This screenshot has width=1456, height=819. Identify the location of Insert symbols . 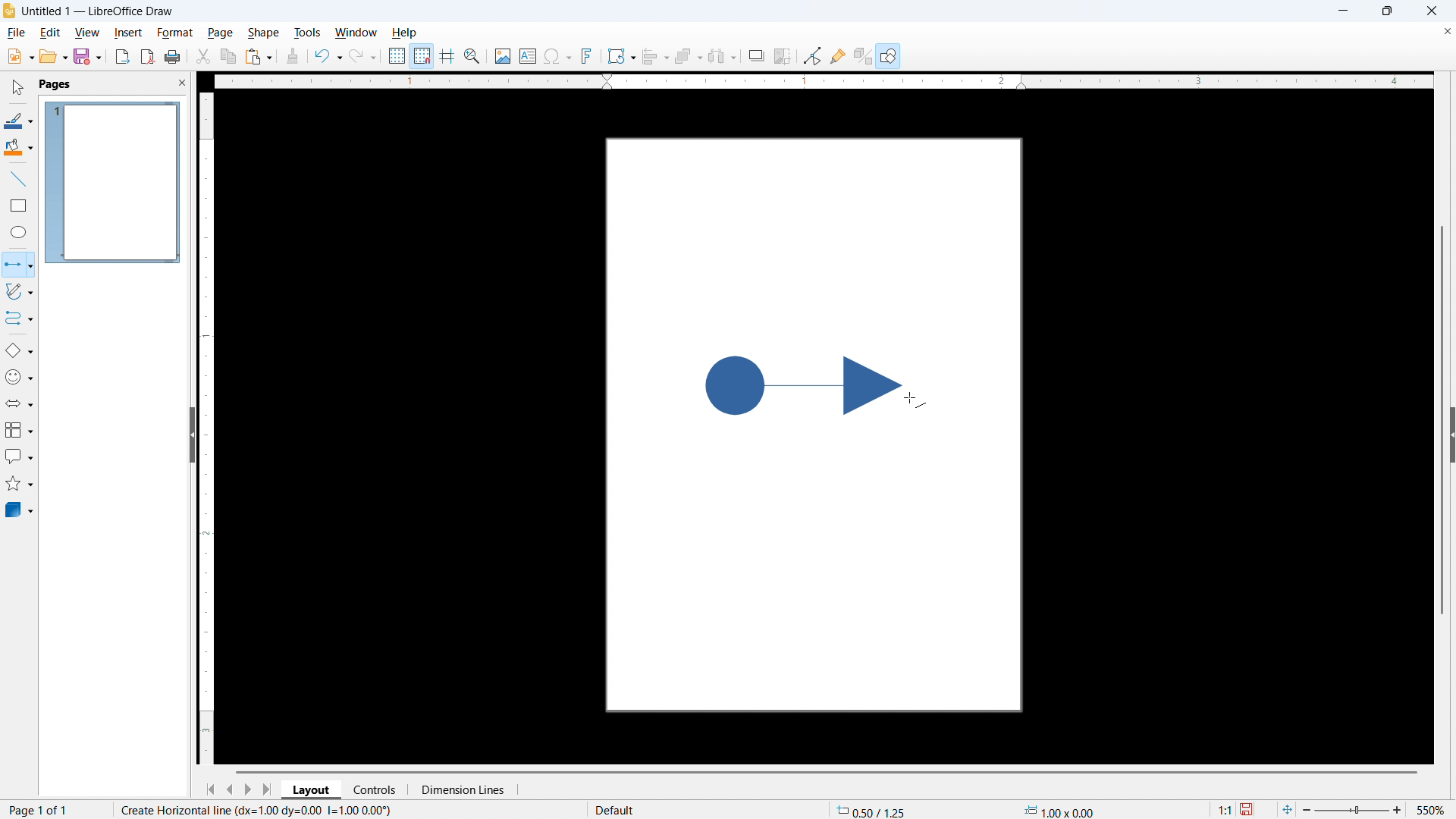
(558, 56).